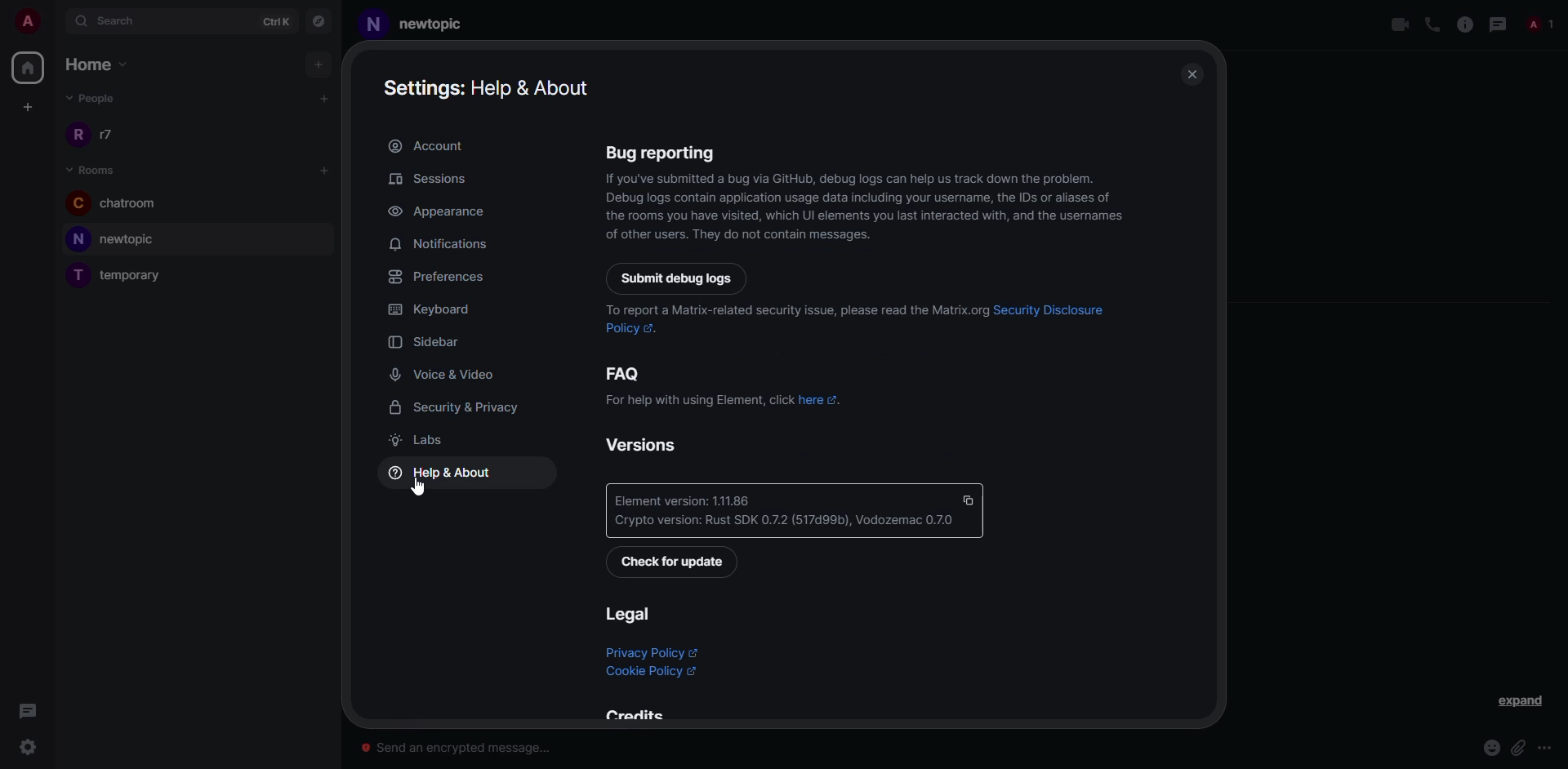 The width and height of the screenshot is (1568, 769). What do you see at coordinates (449, 376) in the screenshot?
I see `voice` at bounding box center [449, 376].